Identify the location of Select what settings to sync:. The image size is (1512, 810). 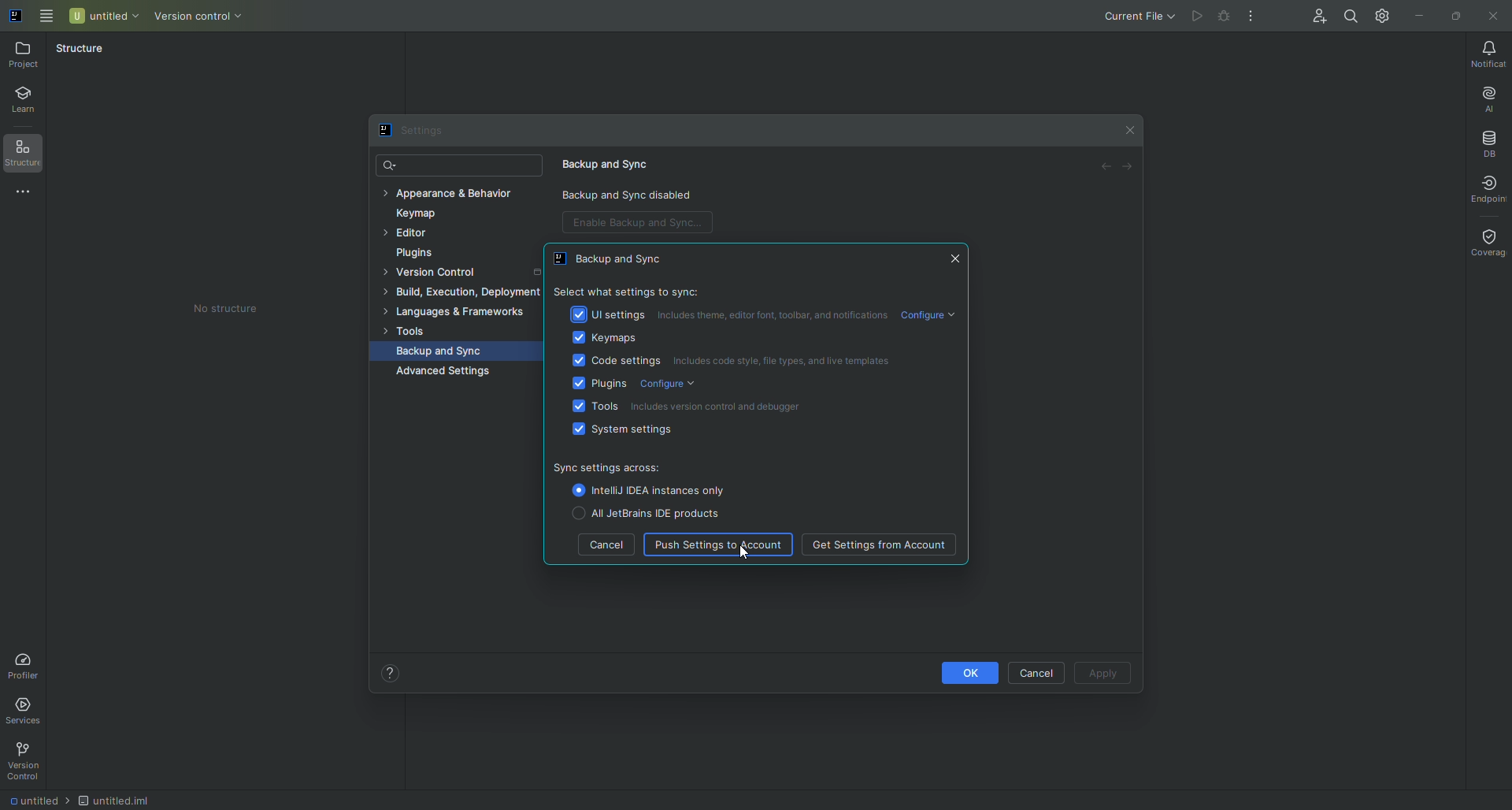
(629, 290).